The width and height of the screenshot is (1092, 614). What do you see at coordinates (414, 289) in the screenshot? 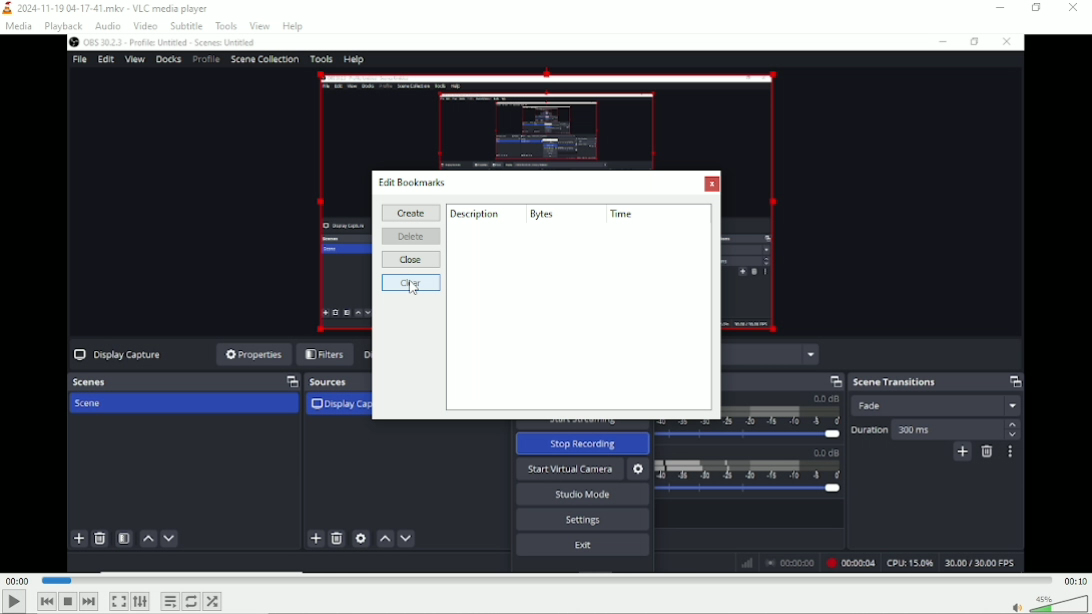
I see `Cursor` at bounding box center [414, 289].